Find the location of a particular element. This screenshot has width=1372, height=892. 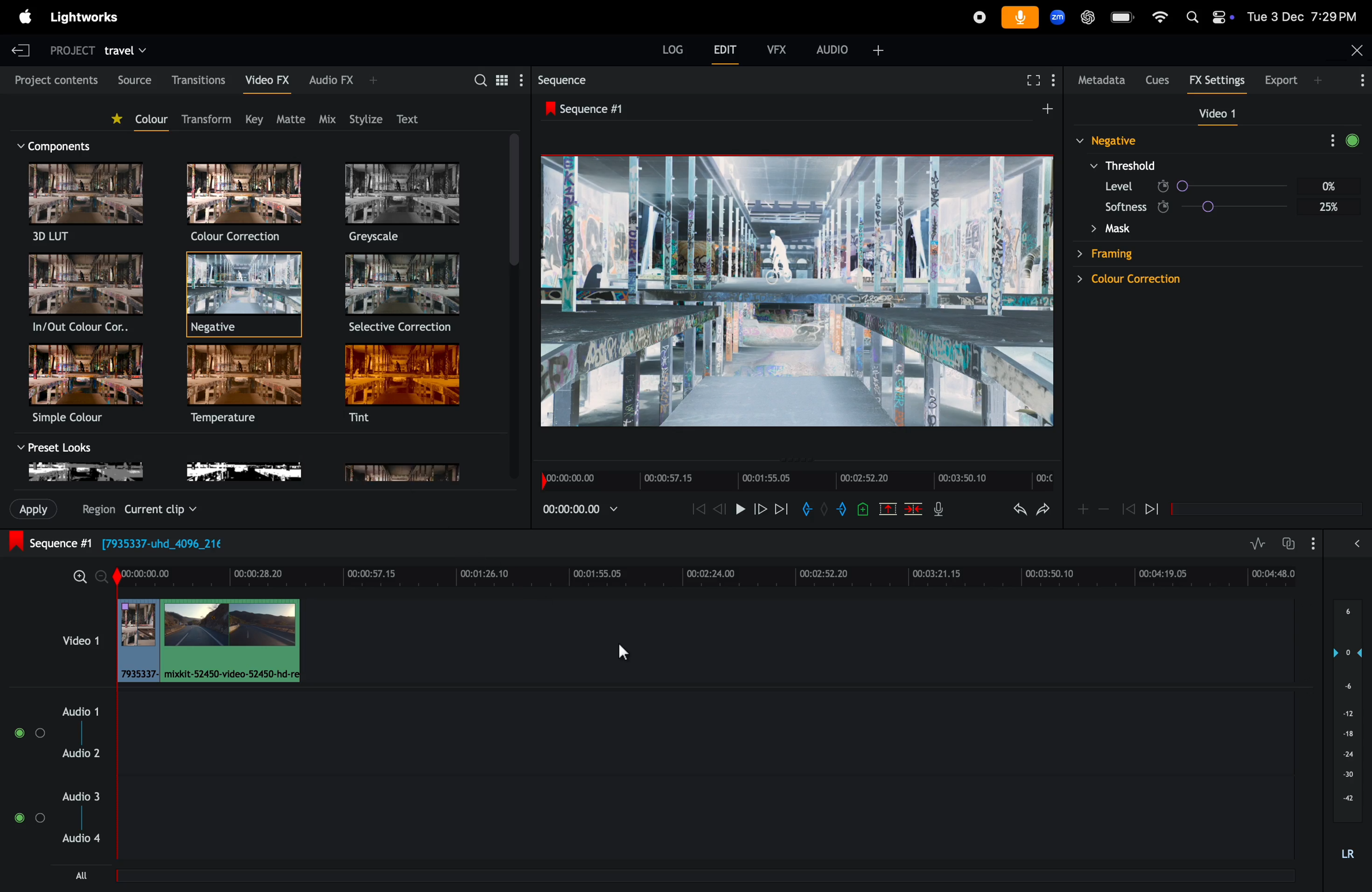

Color correction is located at coordinates (246, 205).